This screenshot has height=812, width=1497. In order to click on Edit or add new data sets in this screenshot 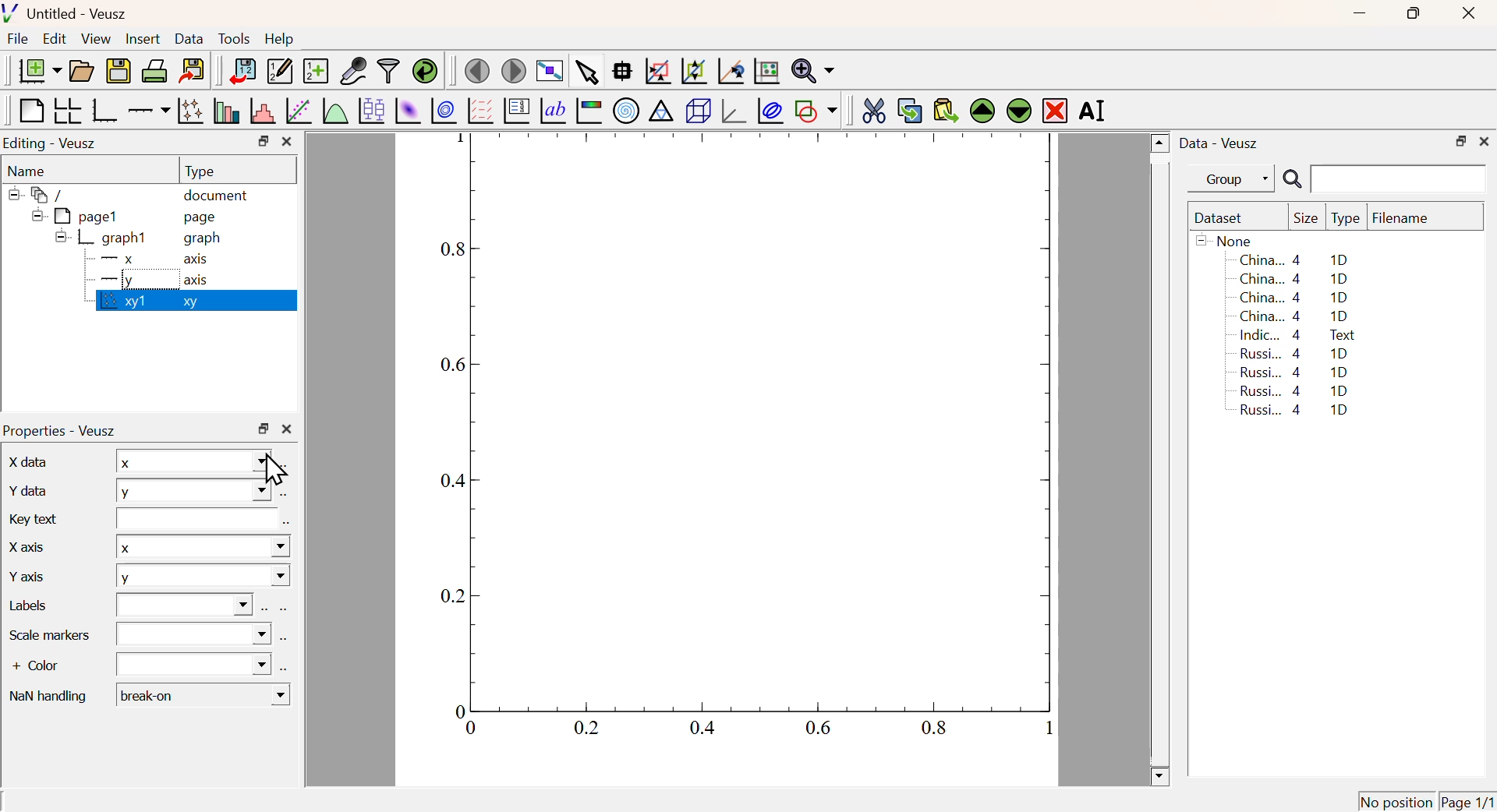, I will do `click(278, 72)`.